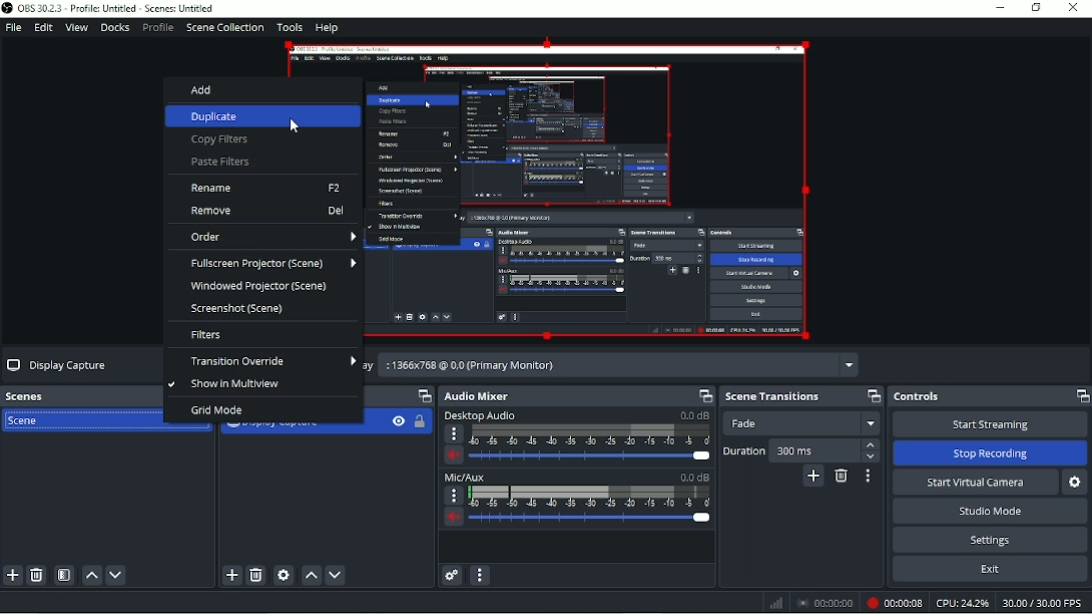  I want to click on Maximize, so click(1081, 395).